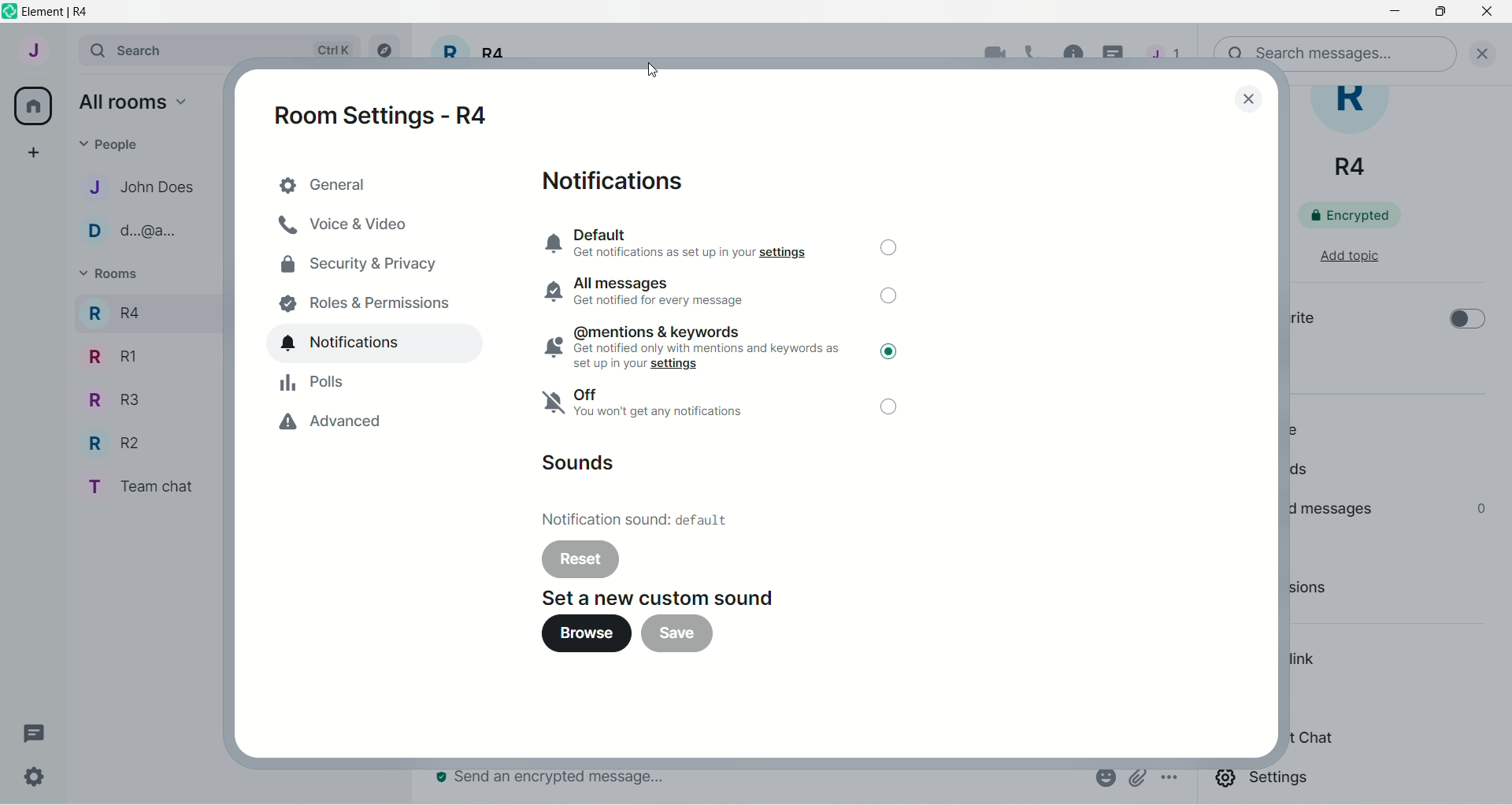  What do you see at coordinates (1349, 254) in the screenshot?
I see `add topic` at bounding box center [1349, 254].